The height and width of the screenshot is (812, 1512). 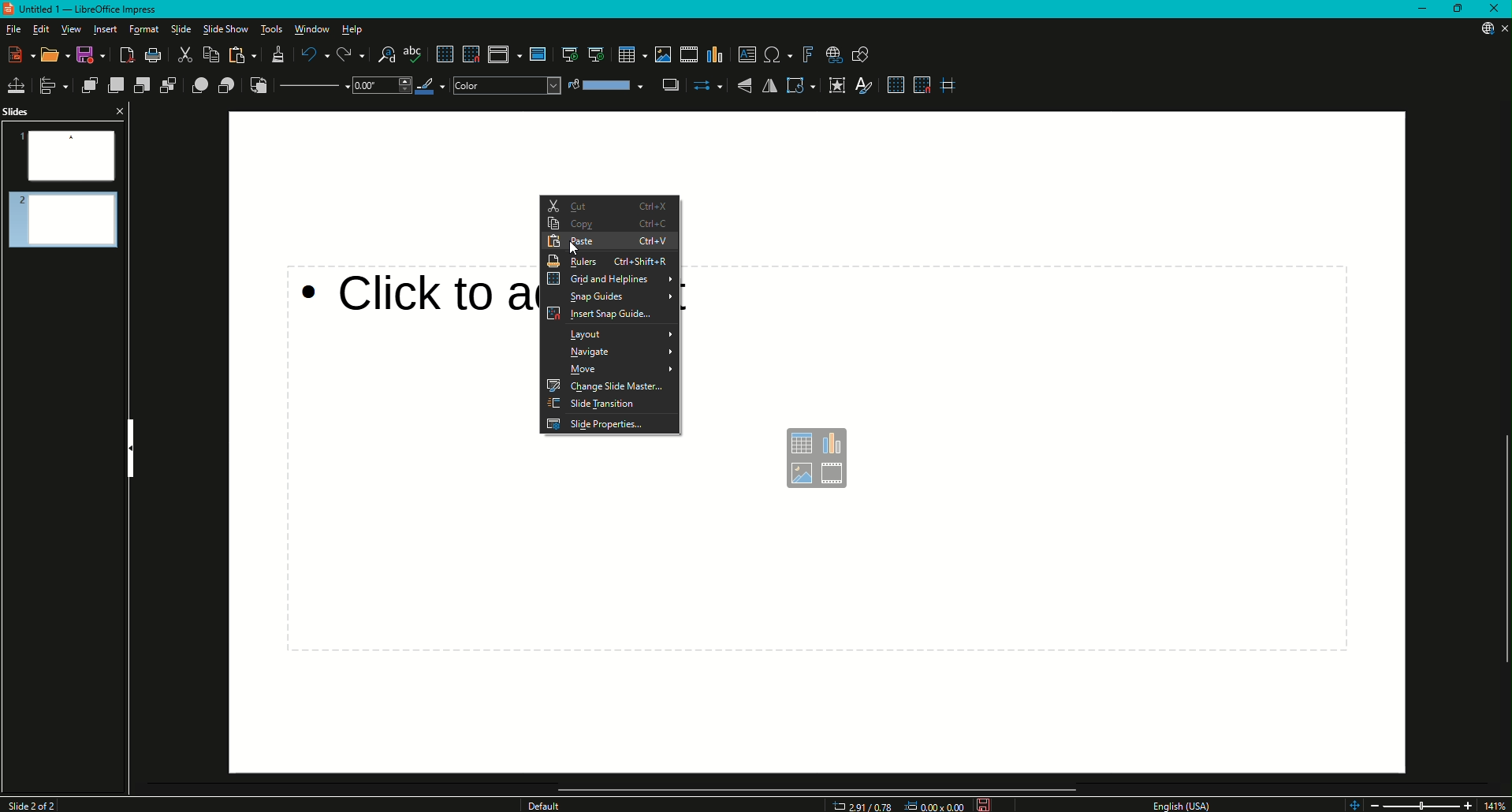 What do you see at coordinates (1492, 9) in the screenshot?
I see `Close` at bounding box center [1492, 9].